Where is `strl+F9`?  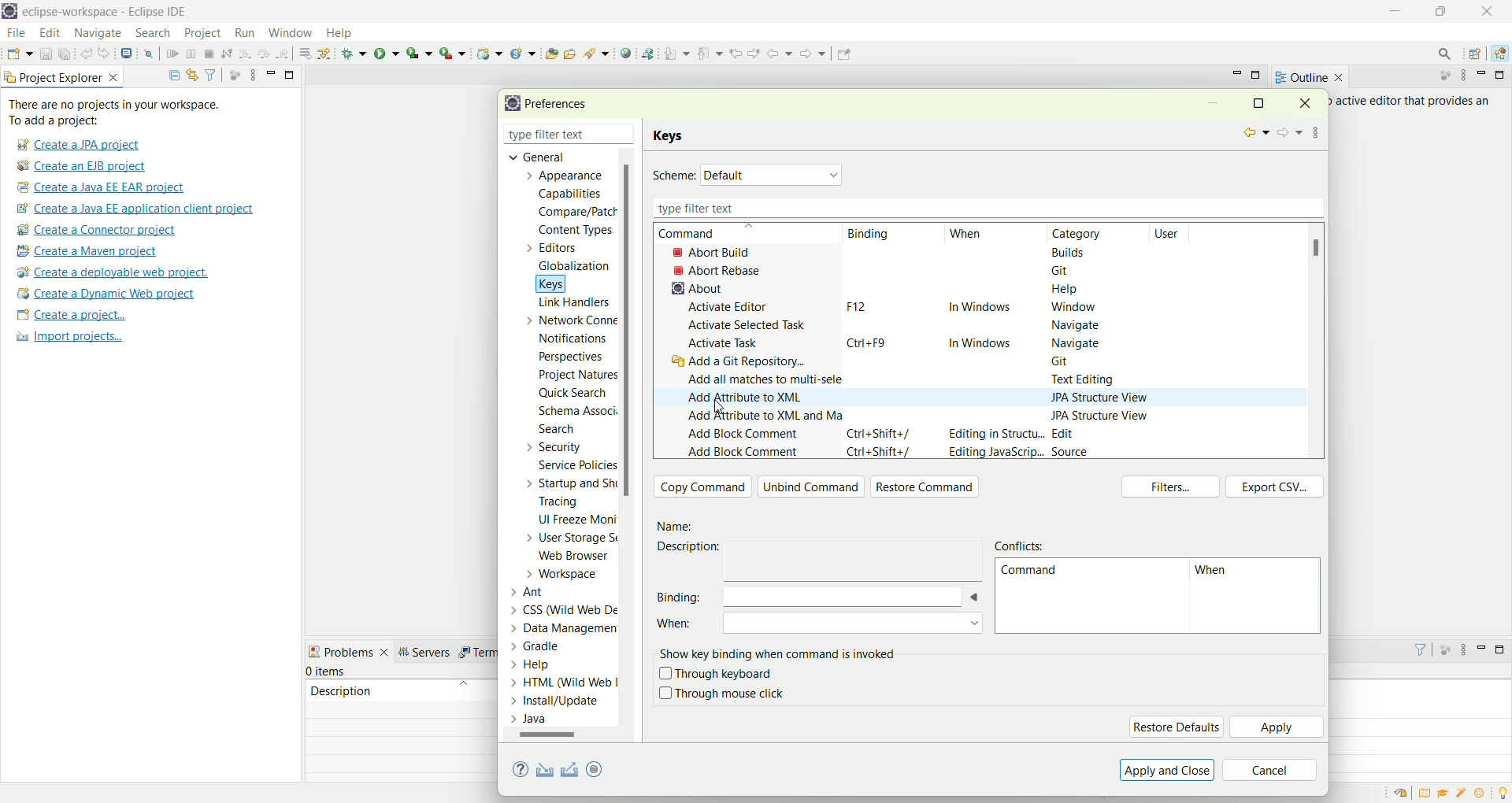 strl+F9 is located at coordinates (872, 342).